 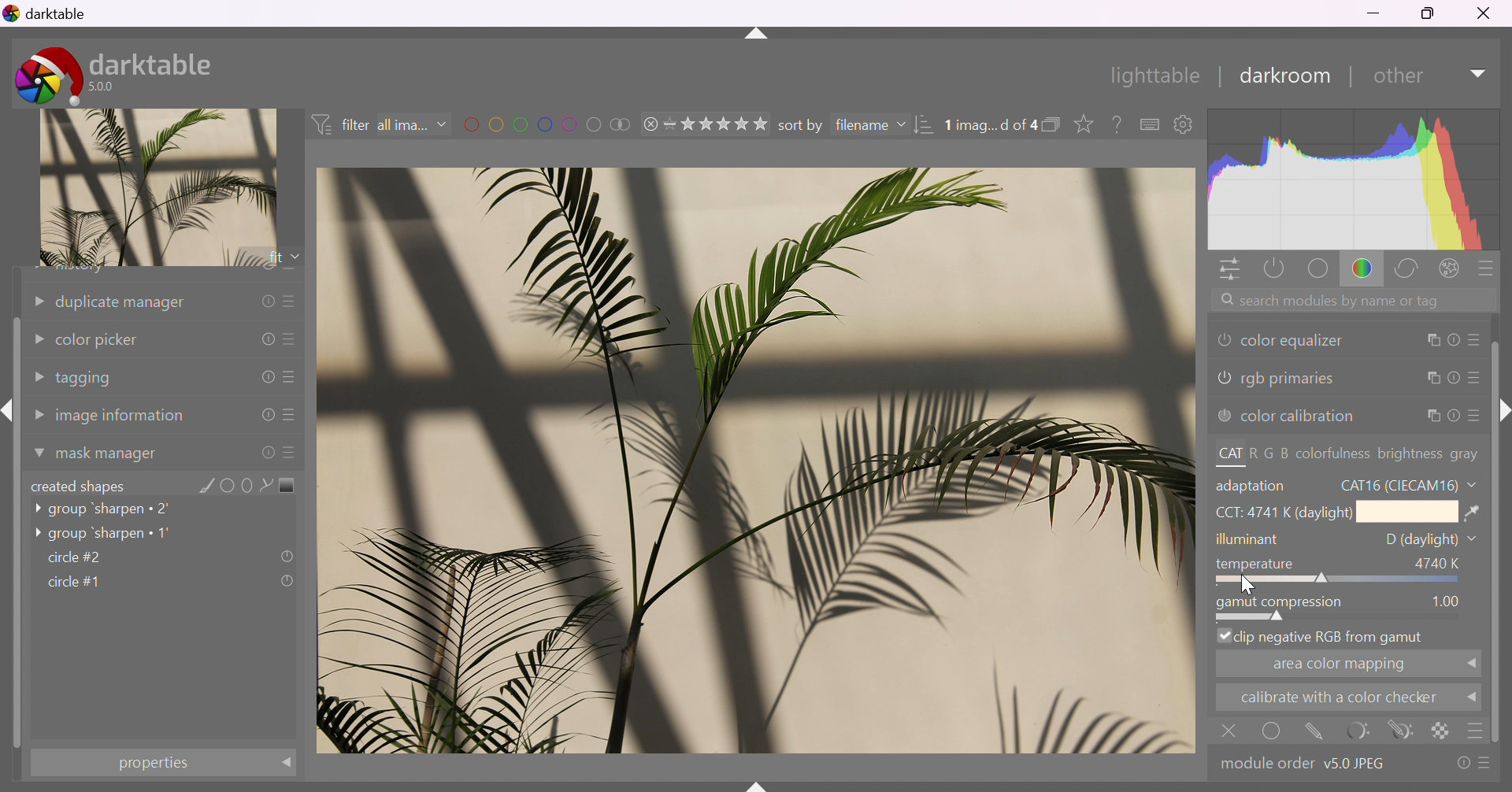 What do you see at coordinates (383, 123) in the screenshot?
I see `filter all images` at bounding box center [383, 123].